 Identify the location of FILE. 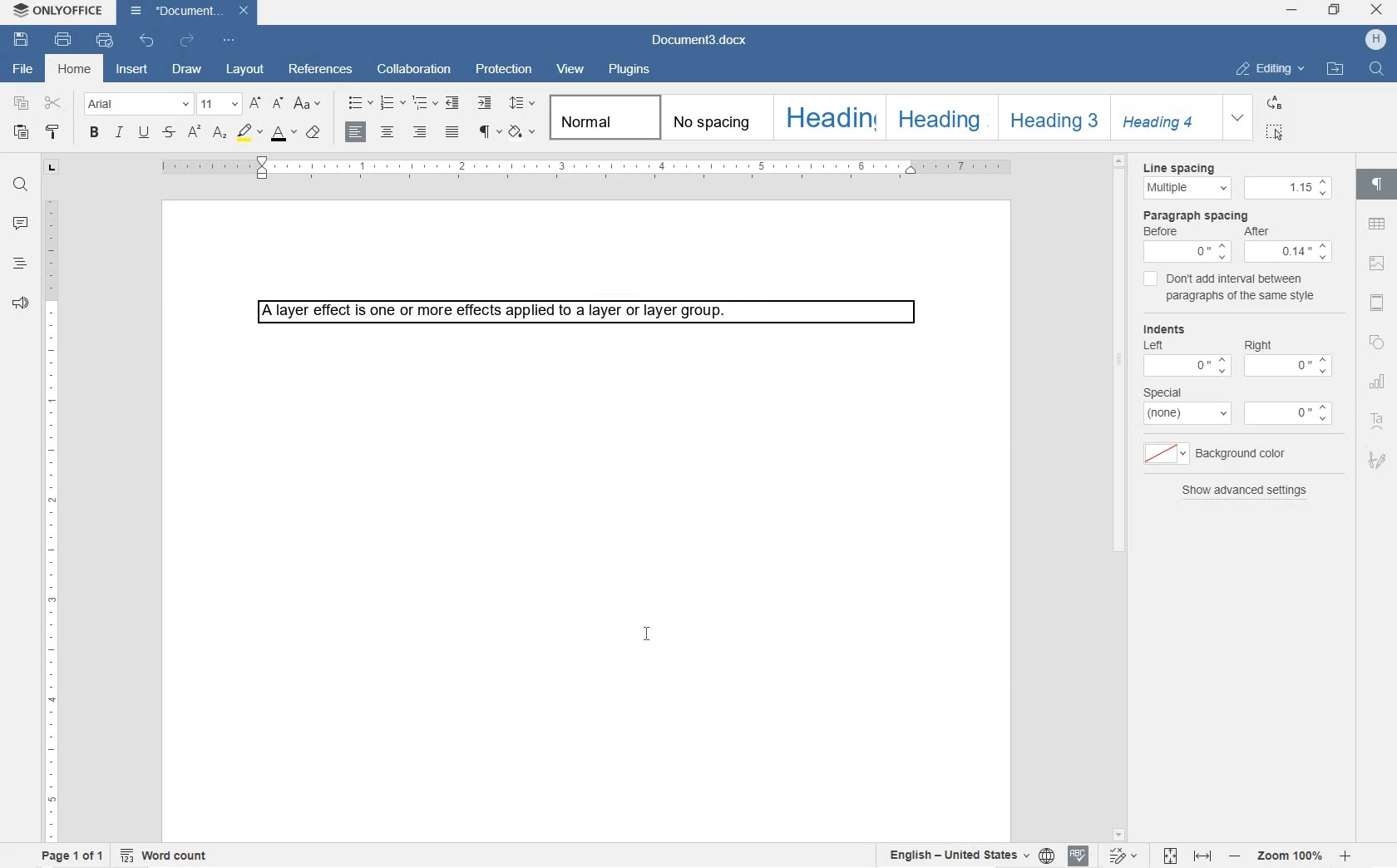
(21, 69).